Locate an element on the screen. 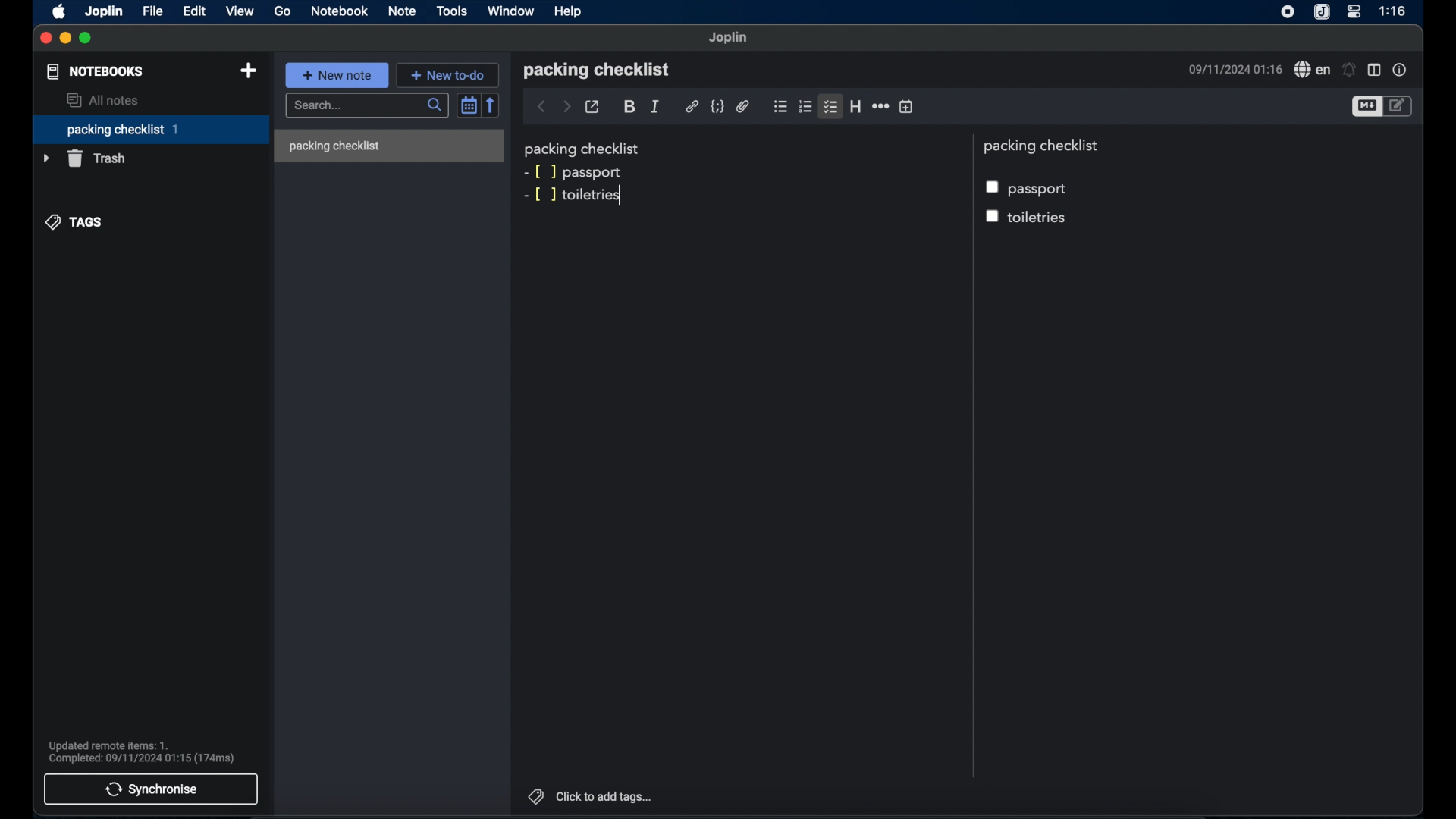 The width and height of the screenshot is (1456, 819). maximize is located at coordinates (86, 39).